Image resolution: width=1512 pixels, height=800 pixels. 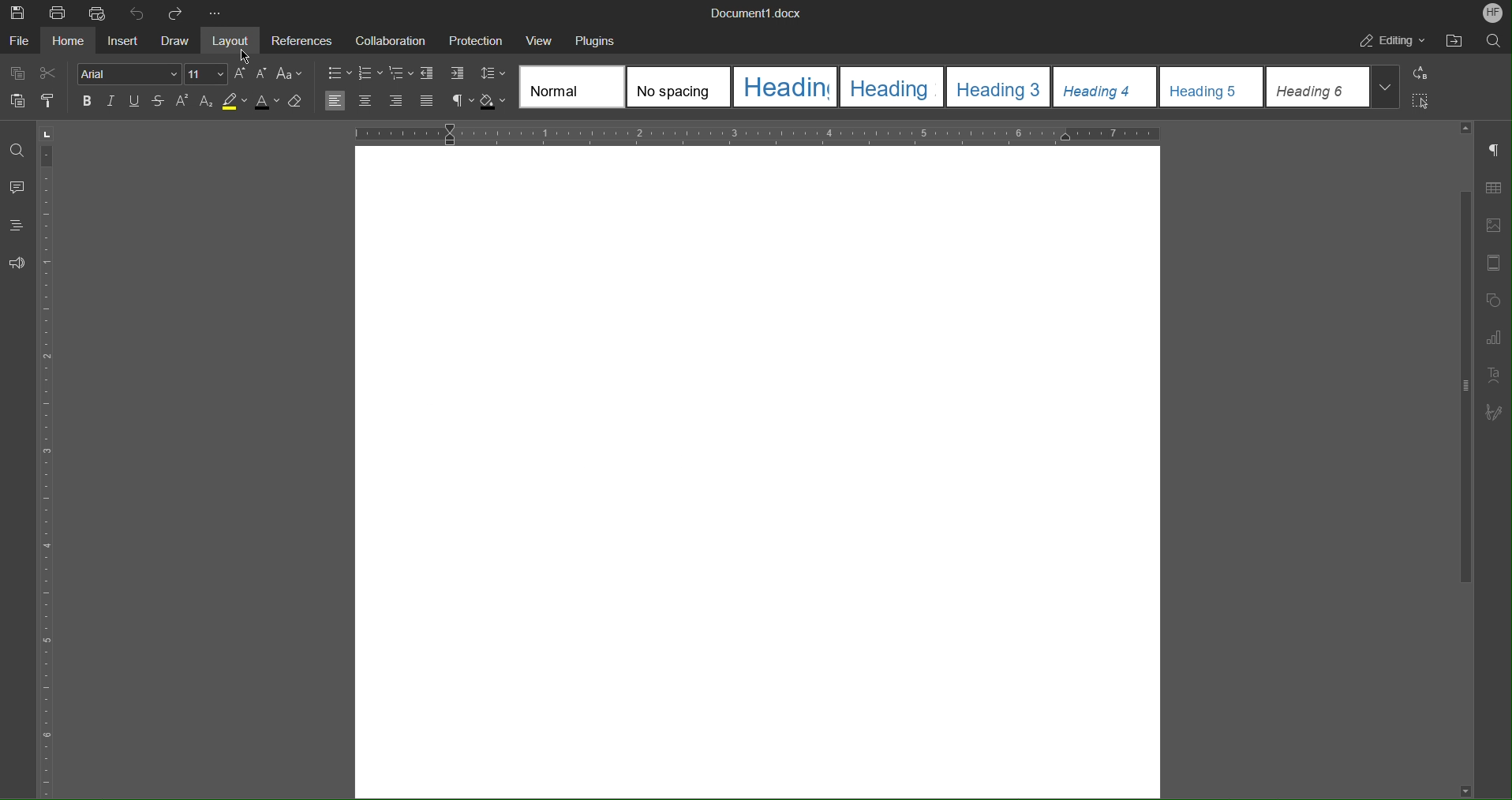 I want to click on Insert Image, so click(x=1493, y=226).